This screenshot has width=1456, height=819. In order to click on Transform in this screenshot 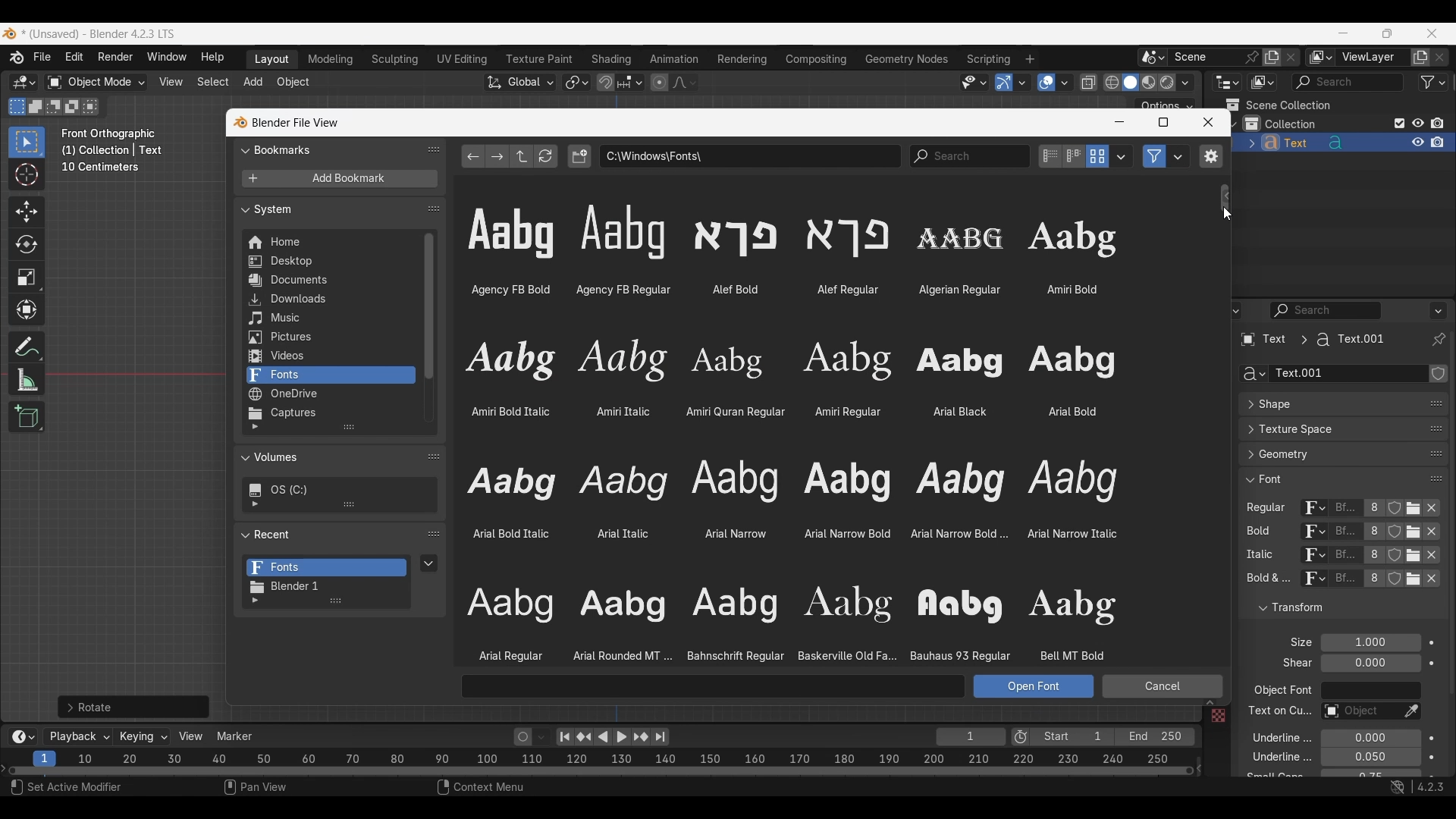, I will do `click(26, 311)`.